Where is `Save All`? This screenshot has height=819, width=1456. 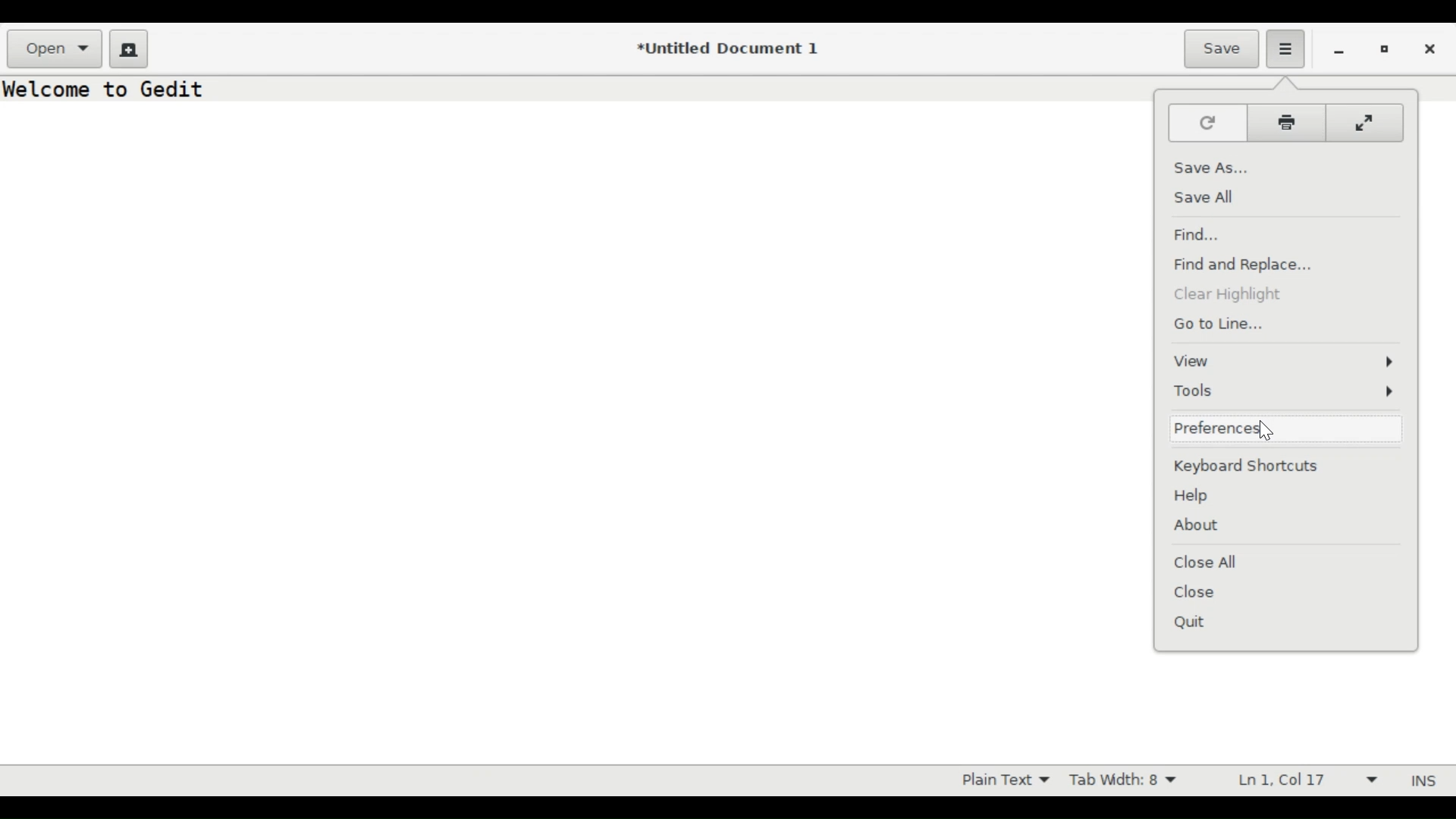
Save All is located at coordinates (1213, 196).